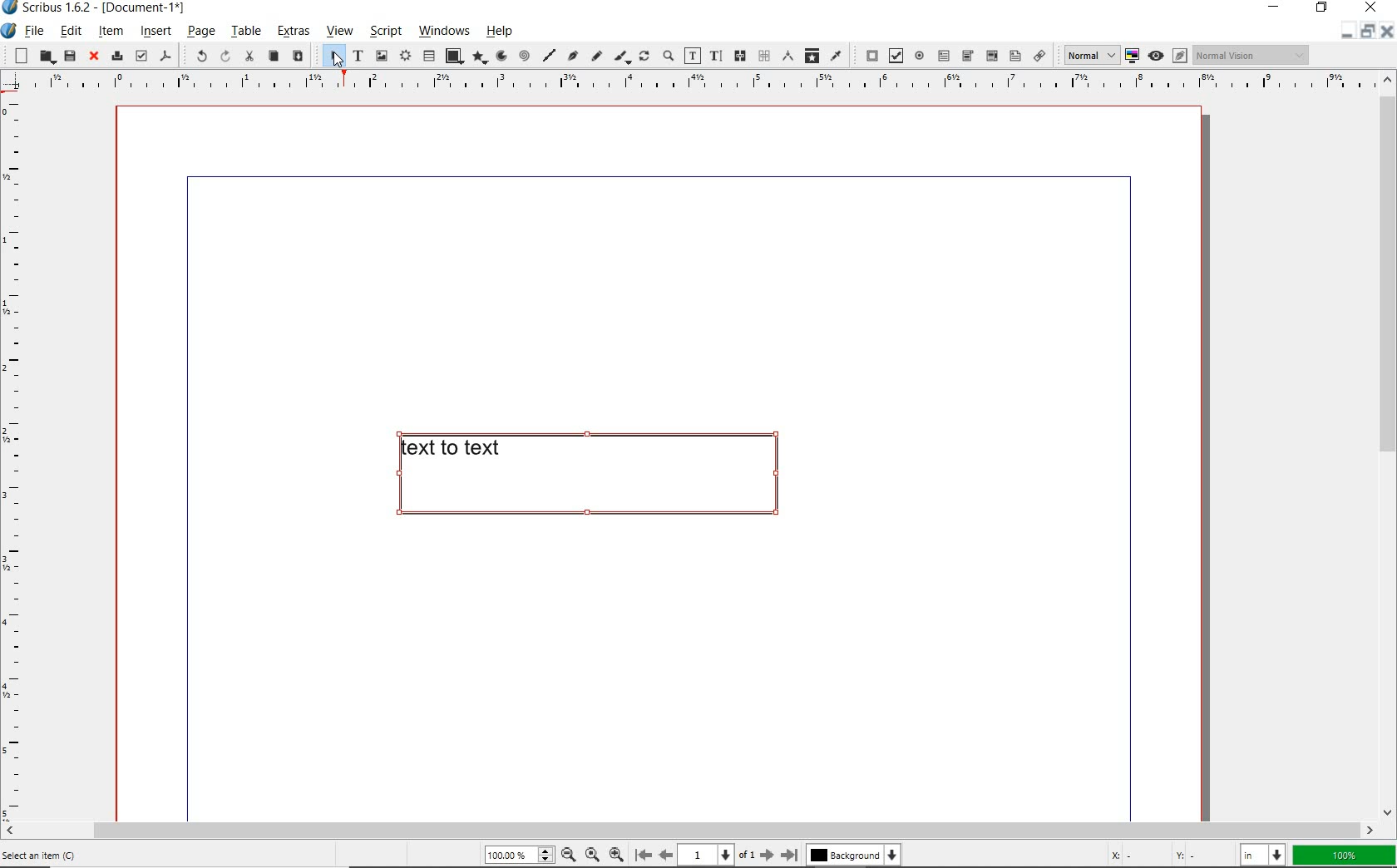 The width and height of the screenshot is (1397, 868). Describe the element at coordinates (763, 57) in the screenshot. I see `unlink text frames` at that location.